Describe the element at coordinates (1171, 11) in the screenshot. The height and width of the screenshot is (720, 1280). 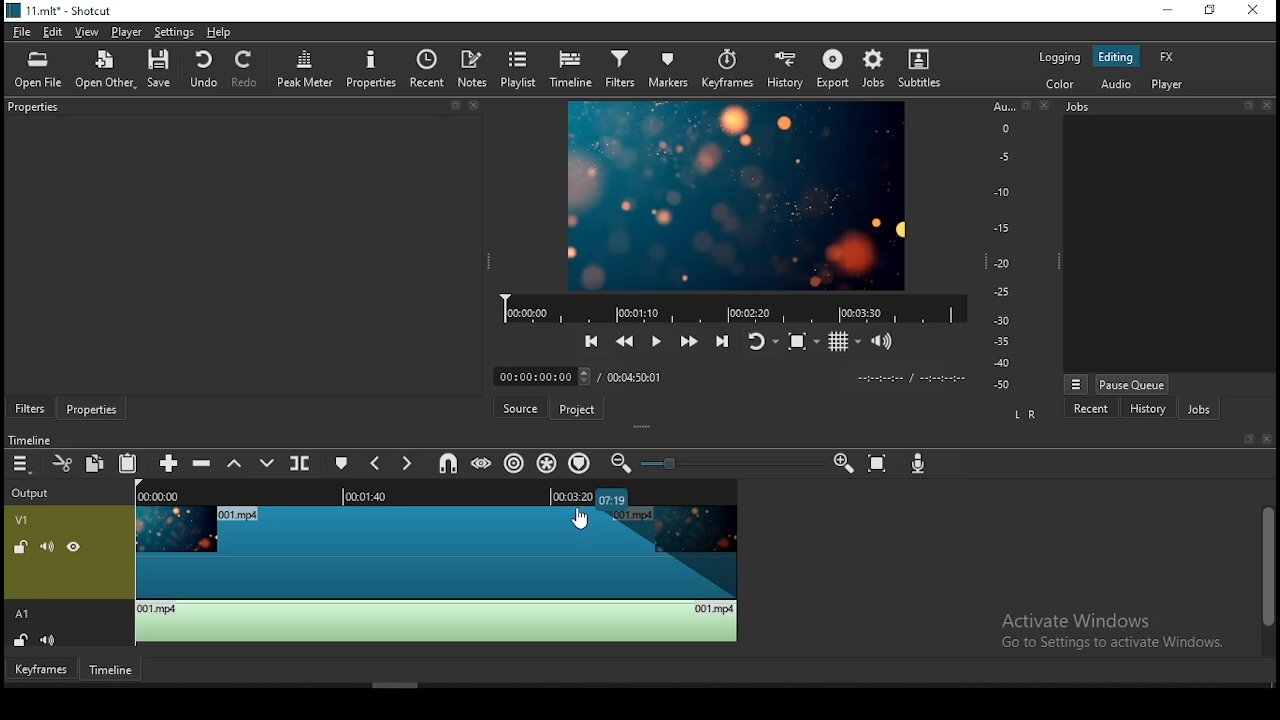
I see `minimize` at that location.